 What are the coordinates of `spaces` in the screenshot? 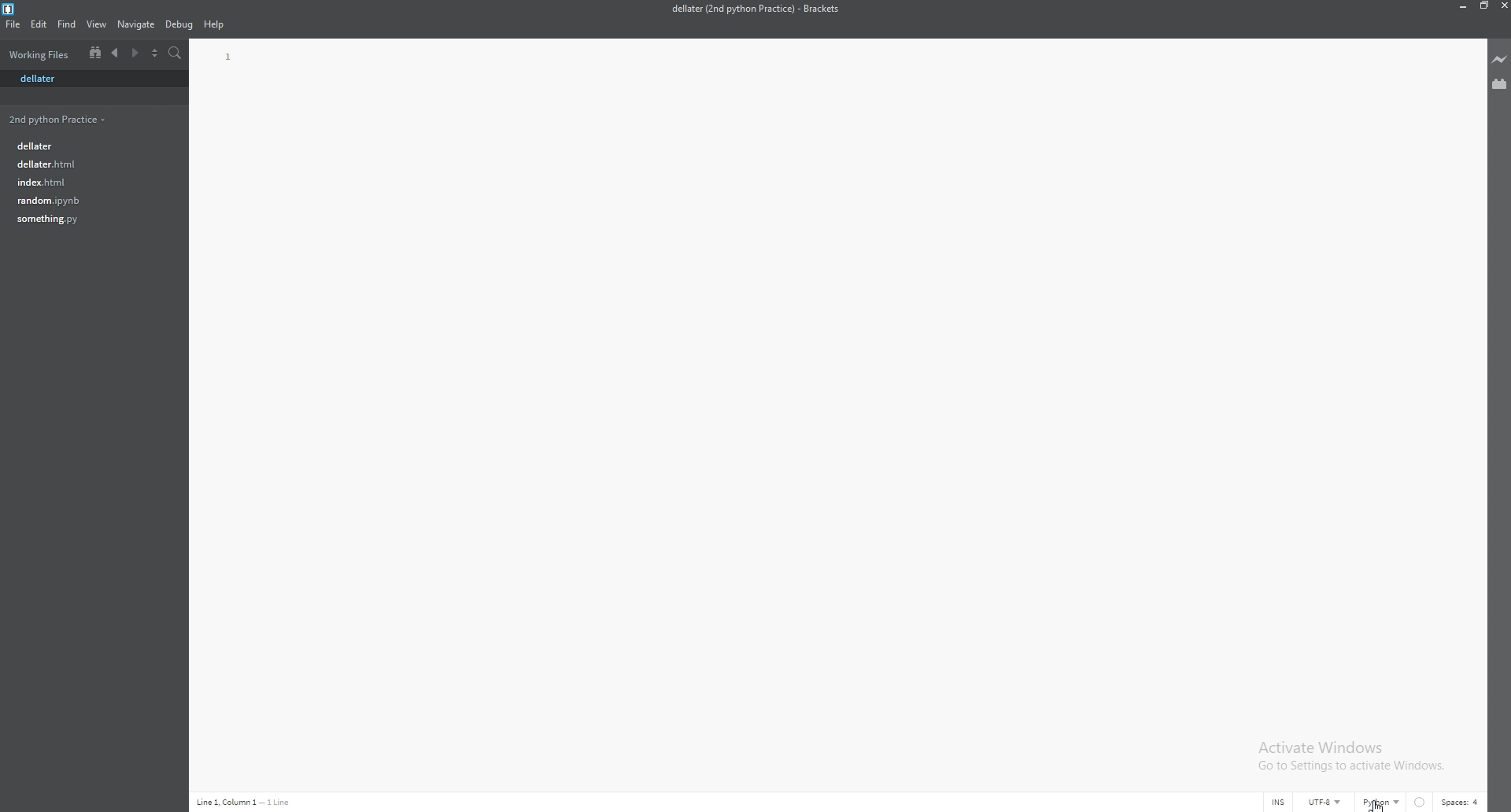 It's located at (1461, 802).